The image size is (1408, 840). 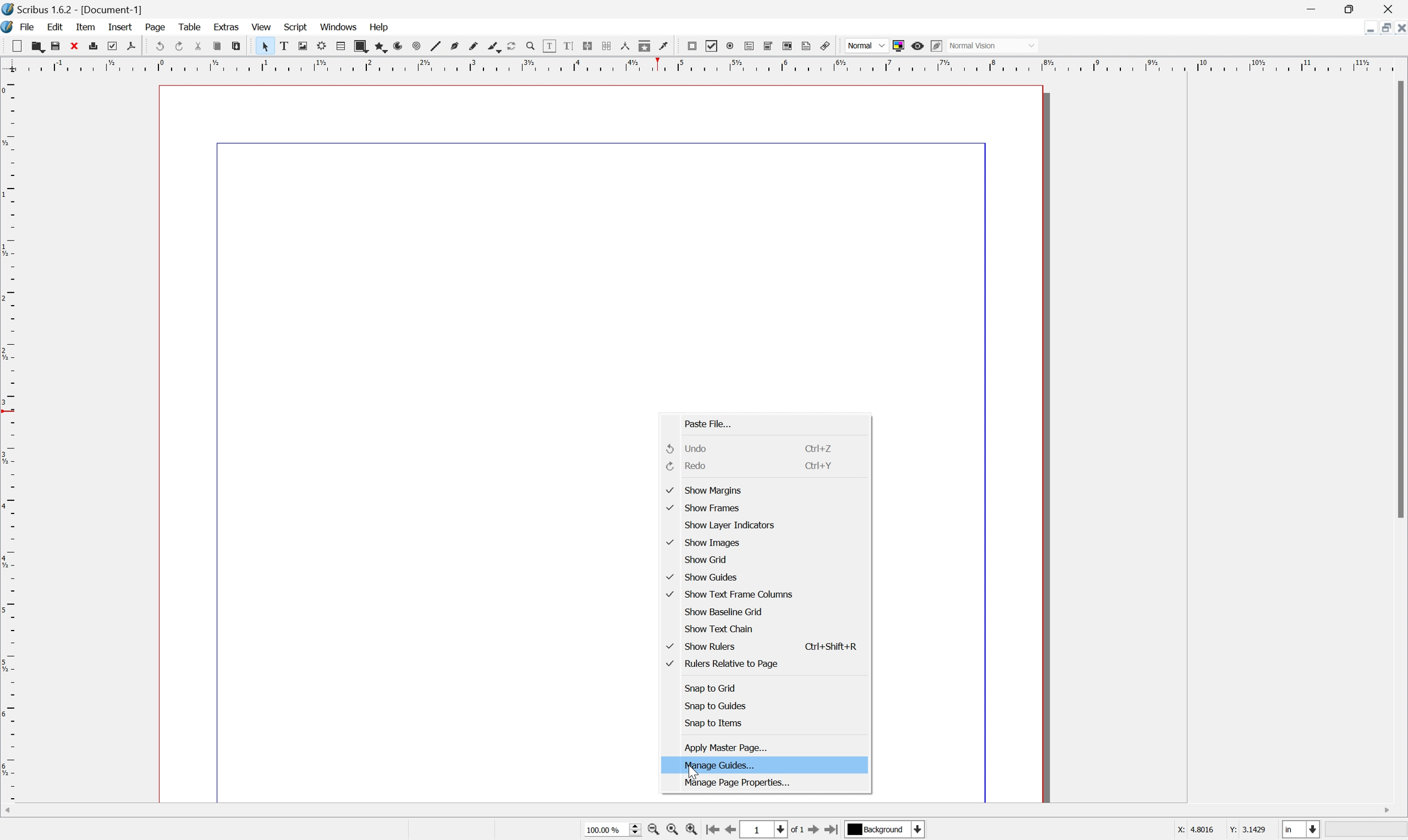 What do you see at coordinates (714, 722) in the screenshot?
I see `sort to items` at bounding box center [714, 722].